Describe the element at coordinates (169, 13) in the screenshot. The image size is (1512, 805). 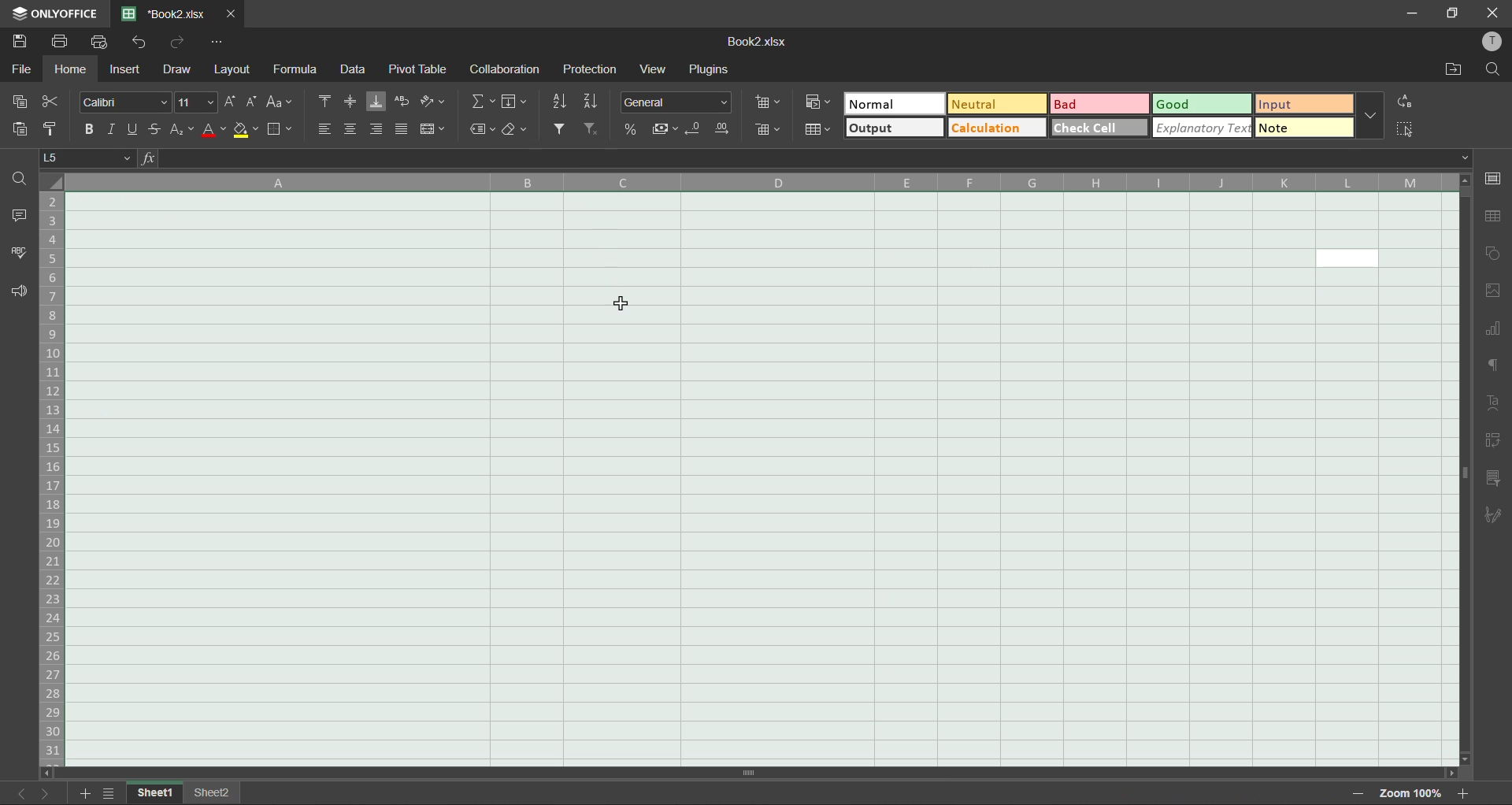
I see `filename` at that location.